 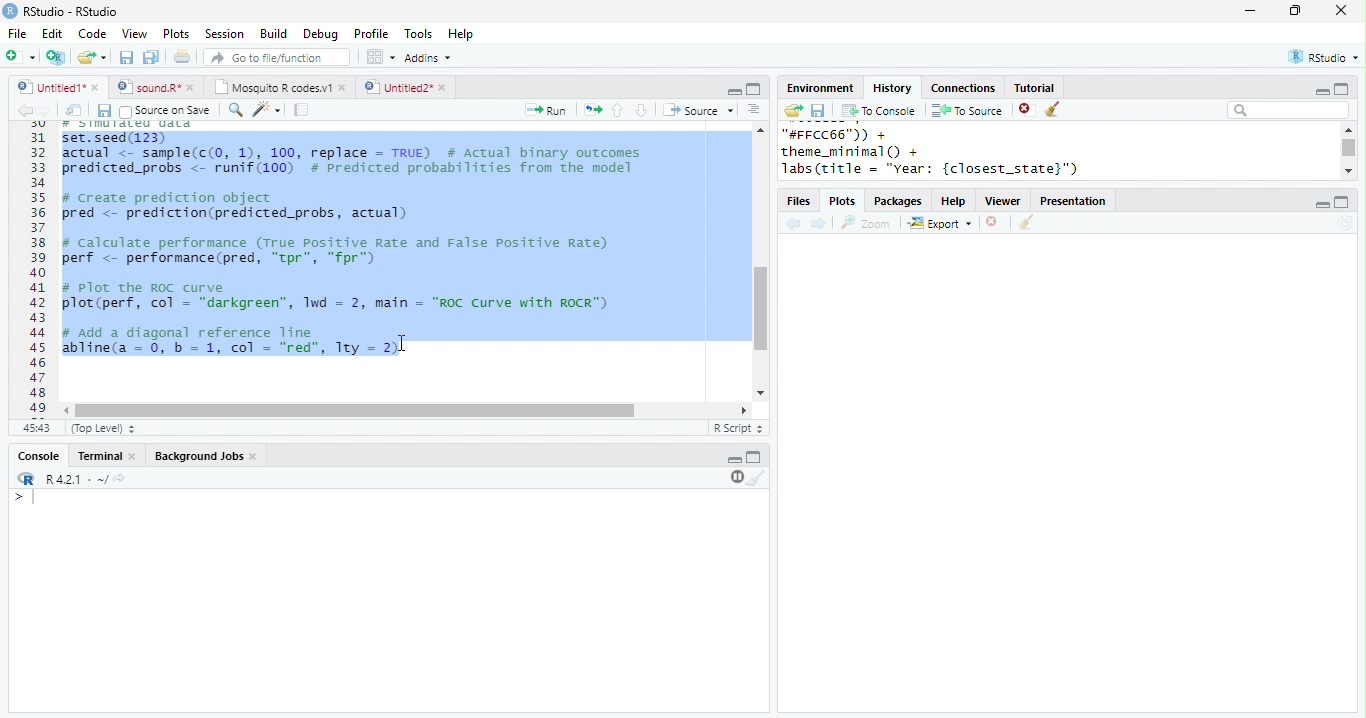 I want to click on Tools, so click(x=419, y=34).